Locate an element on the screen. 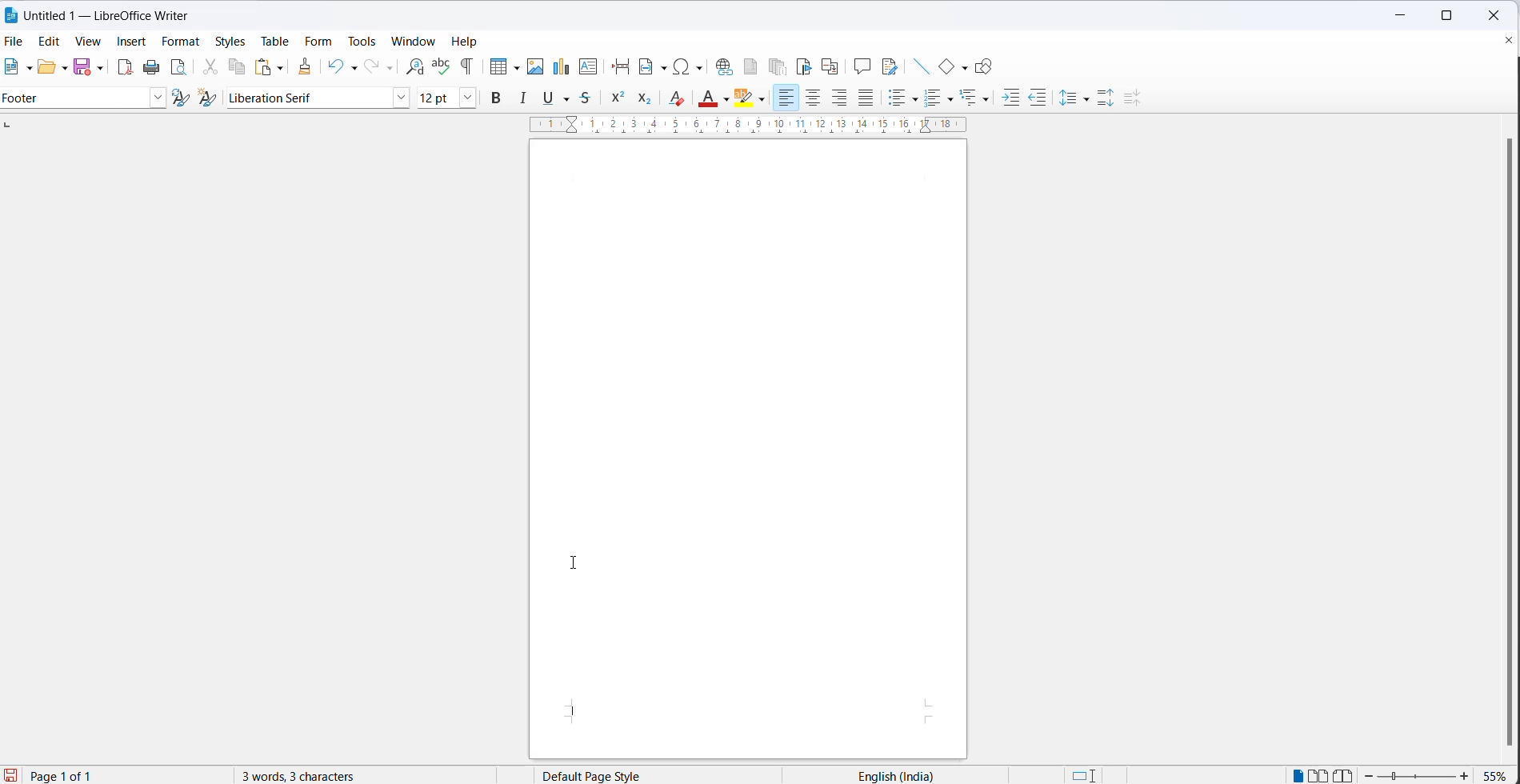 This screenshot has height=784, width=1520. update selected style is located at coordinates (180, 98).